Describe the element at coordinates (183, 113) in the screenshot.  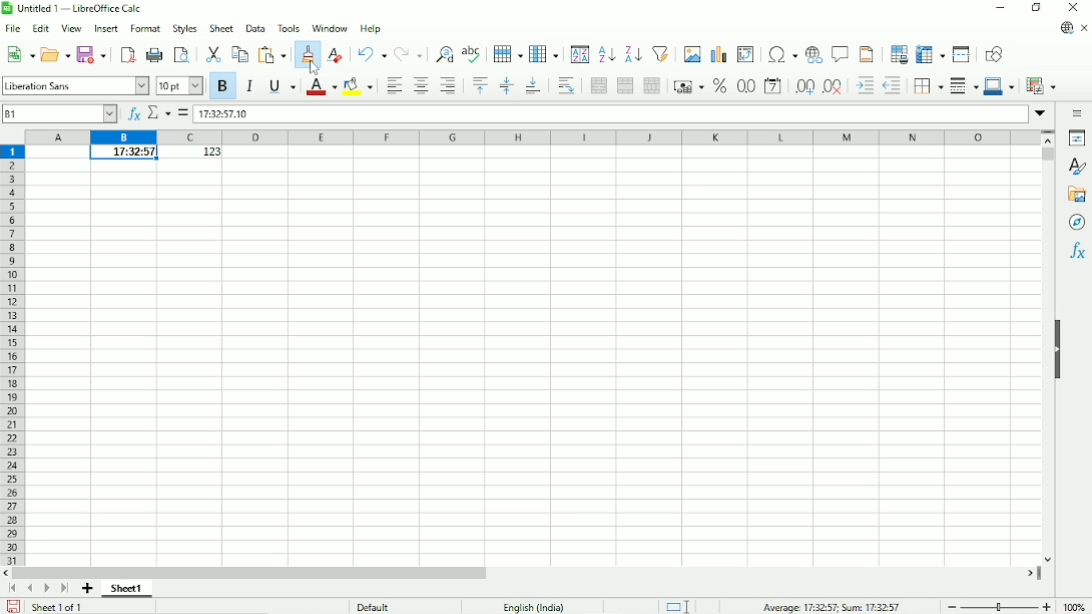
I see `Formula` at that location.